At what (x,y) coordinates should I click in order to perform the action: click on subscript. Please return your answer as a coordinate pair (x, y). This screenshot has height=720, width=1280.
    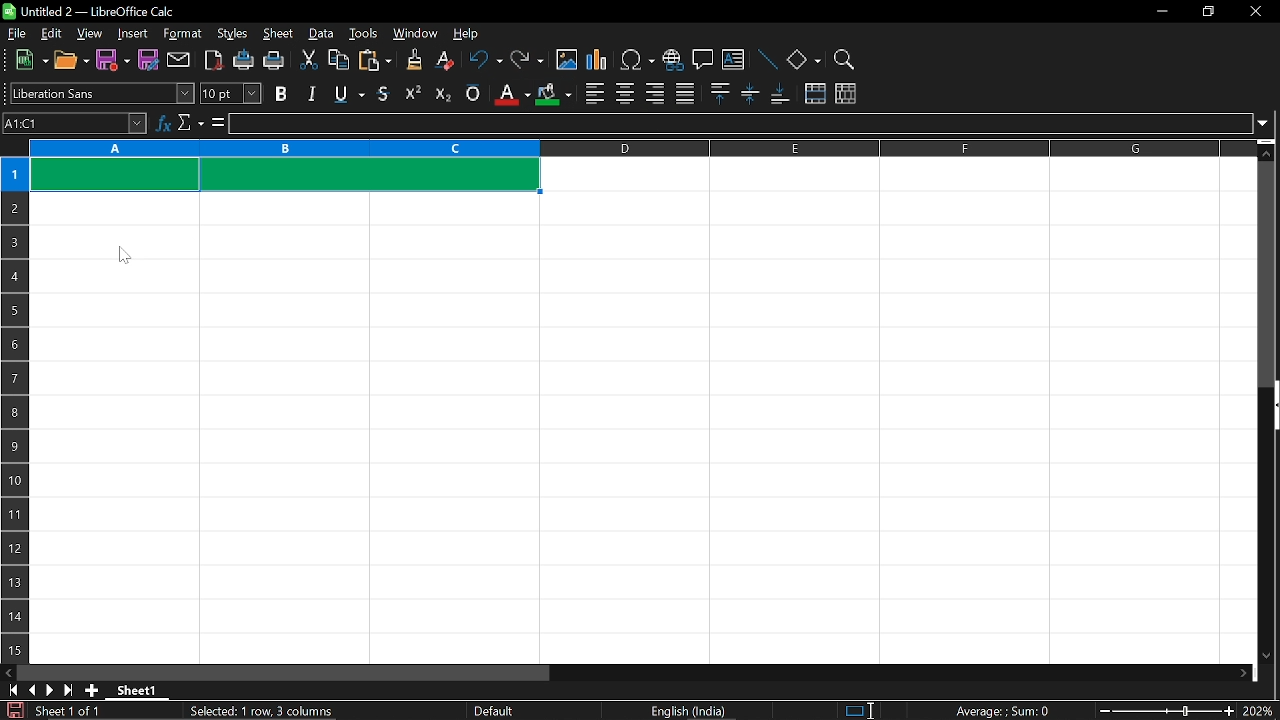
    Looking at the image, I should click on (442, 93).